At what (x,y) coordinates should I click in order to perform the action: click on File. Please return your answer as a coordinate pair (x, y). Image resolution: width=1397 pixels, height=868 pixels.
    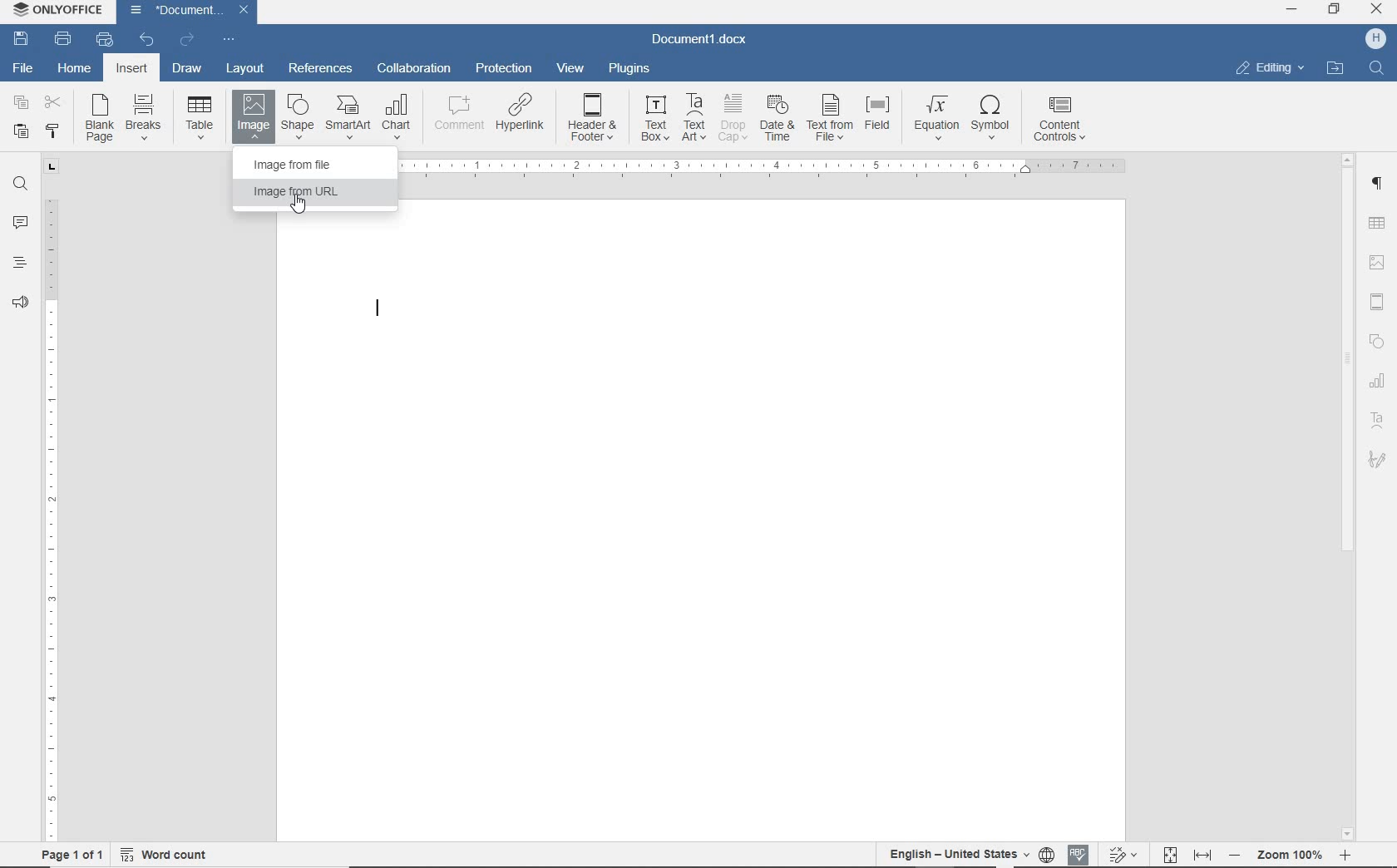
    Looking at the image, I should click on (23, 67).